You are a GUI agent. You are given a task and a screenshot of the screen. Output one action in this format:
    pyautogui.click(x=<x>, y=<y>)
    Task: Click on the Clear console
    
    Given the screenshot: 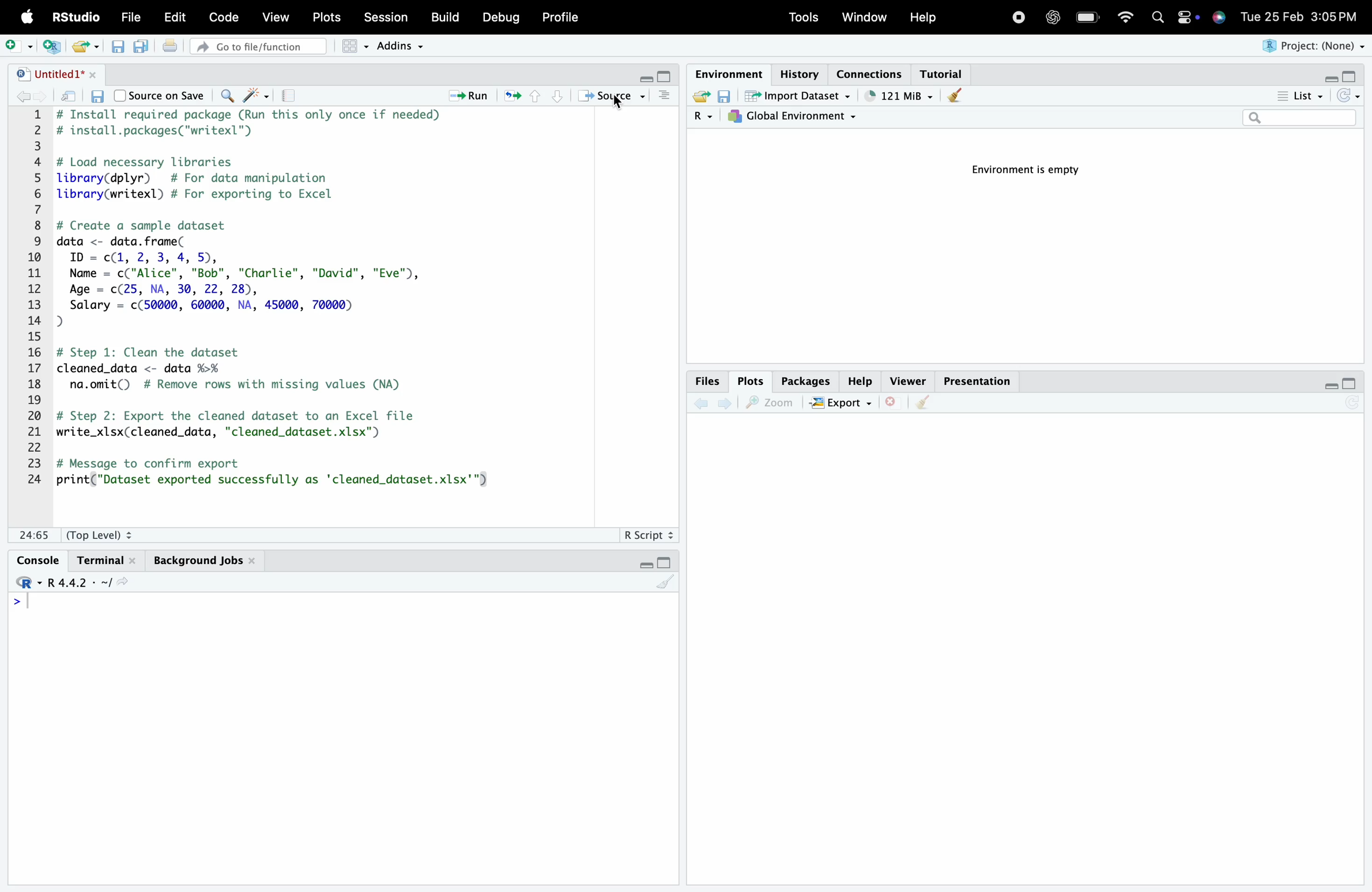 What is the action you would take?
    pyautogui.click(x=668, y=584)
    